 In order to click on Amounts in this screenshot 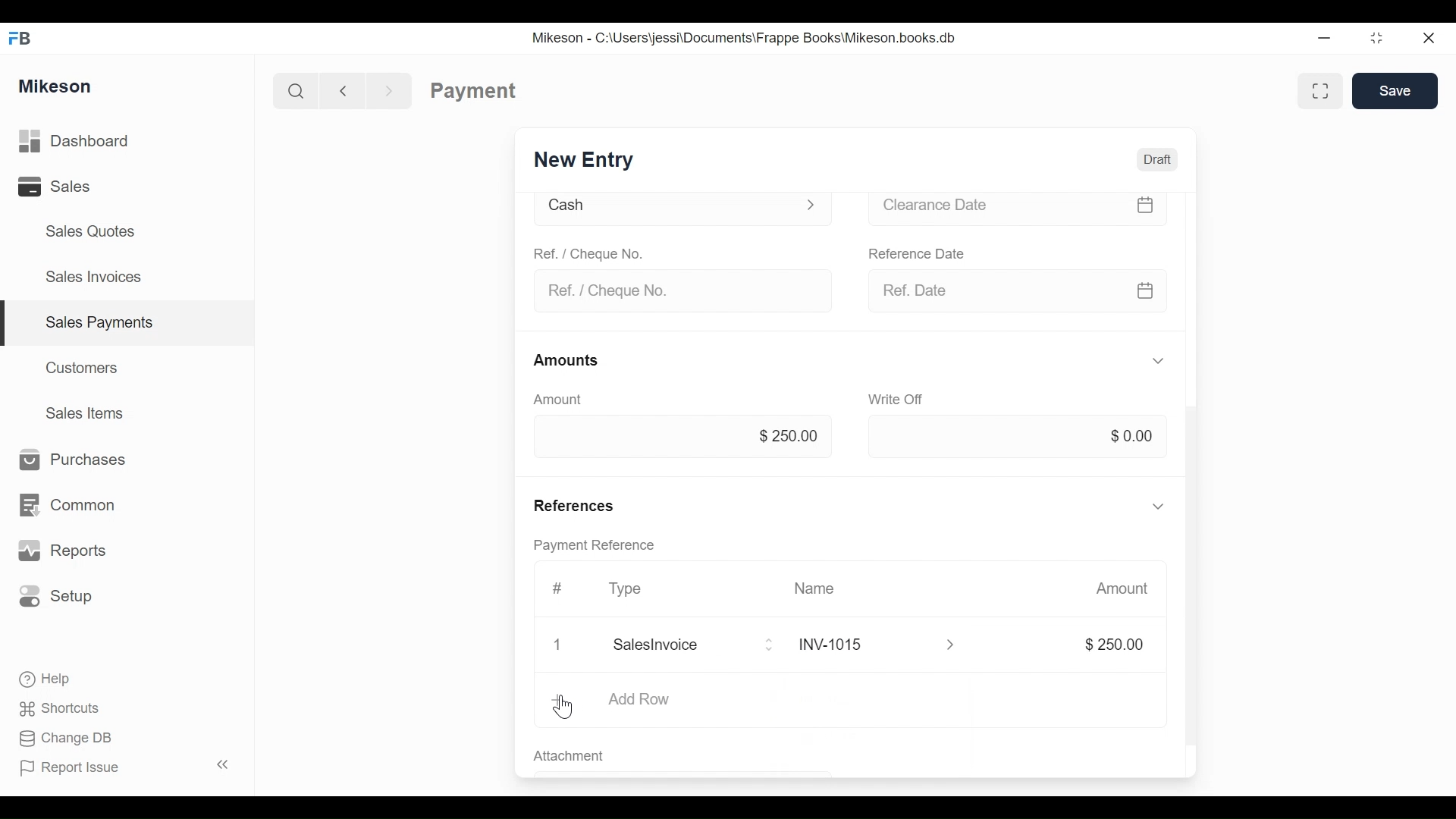, I will do `click(566, 360)`.